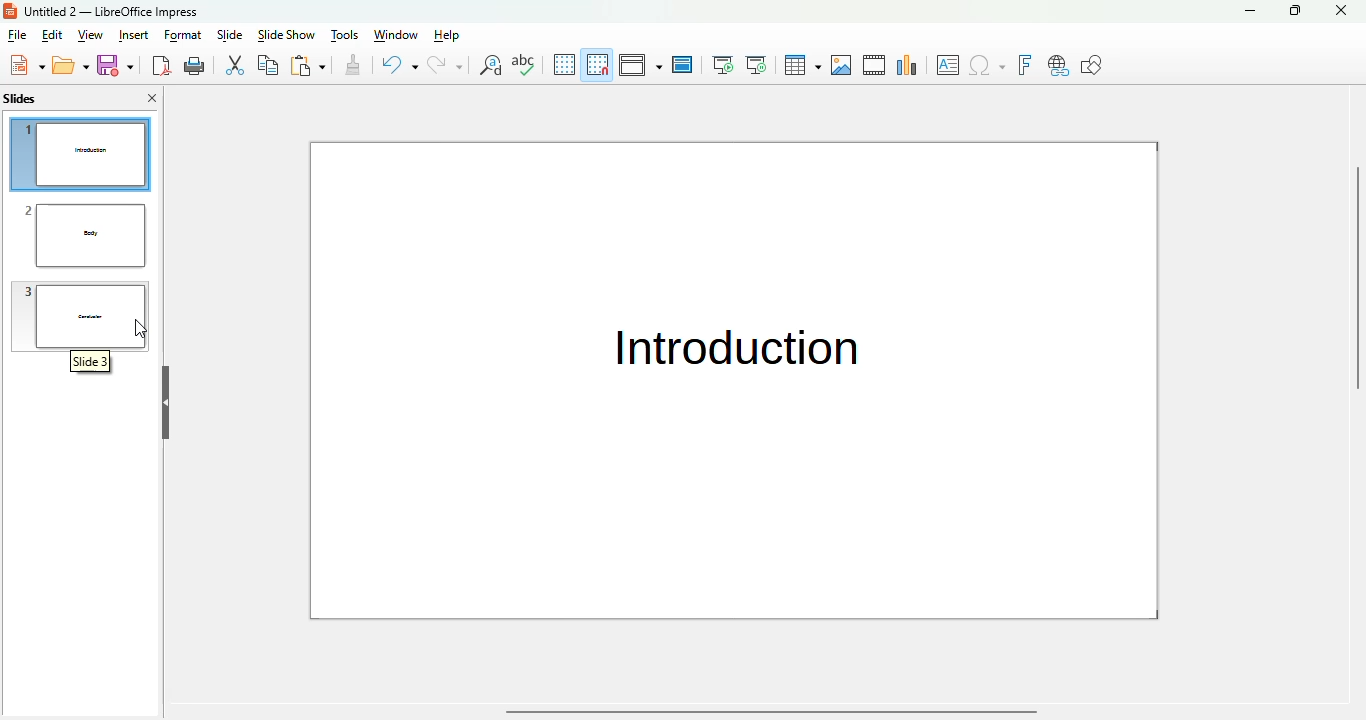 The height and width of the screenshot is (720, 1366). Describe the element at coordinates (10, 10) in the screenshot. I see `logo` at that location.